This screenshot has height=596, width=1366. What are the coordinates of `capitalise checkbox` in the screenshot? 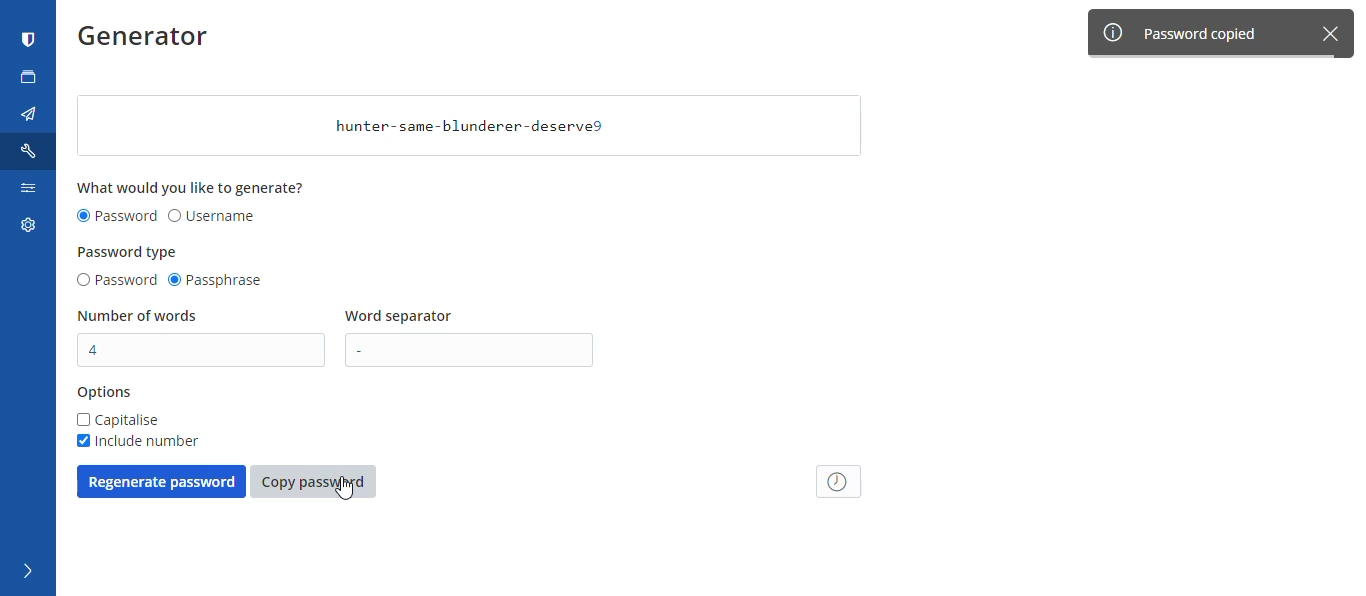 It's located at (119, 420).